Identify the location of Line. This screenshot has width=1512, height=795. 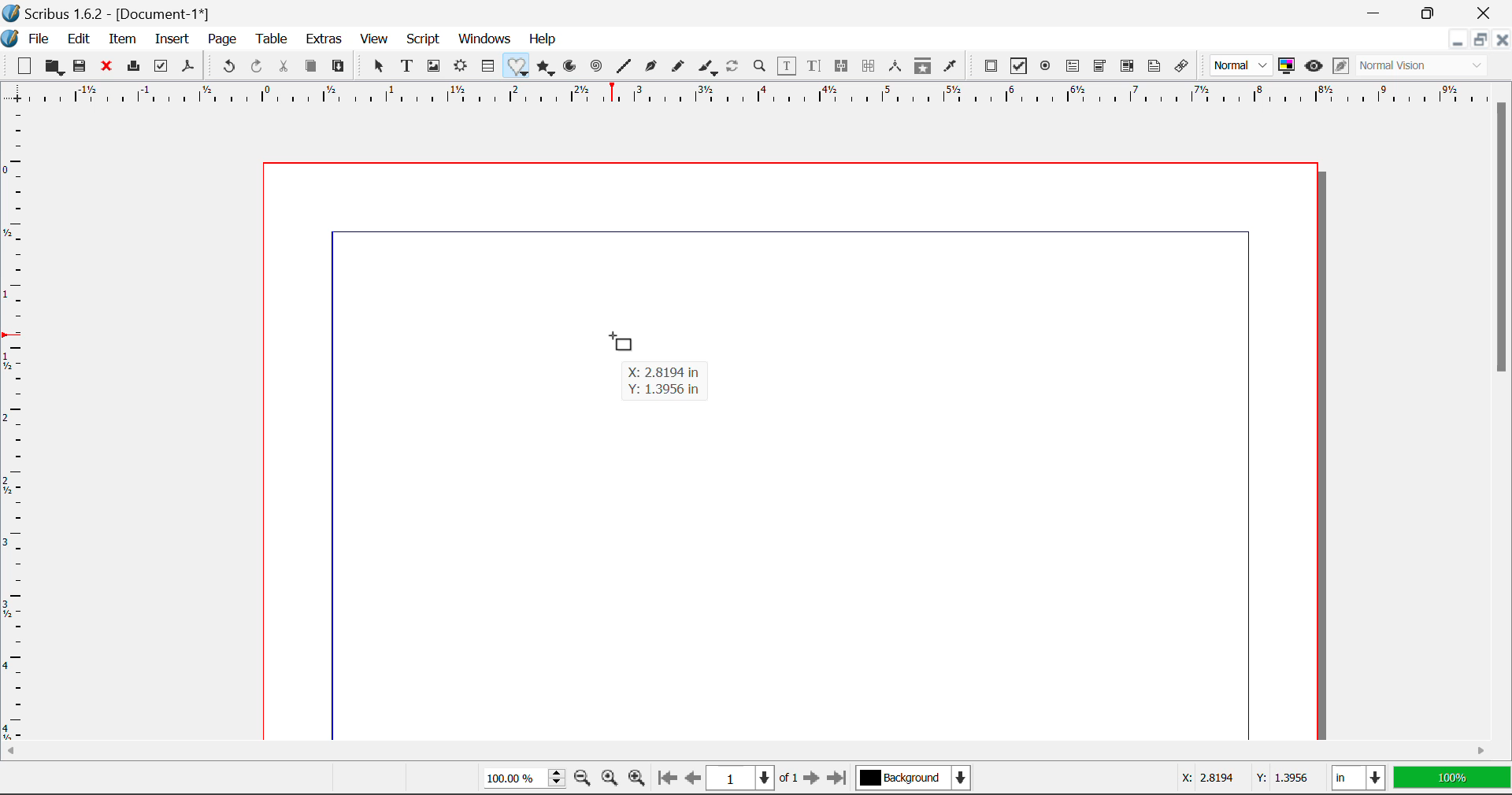
(625, 67).